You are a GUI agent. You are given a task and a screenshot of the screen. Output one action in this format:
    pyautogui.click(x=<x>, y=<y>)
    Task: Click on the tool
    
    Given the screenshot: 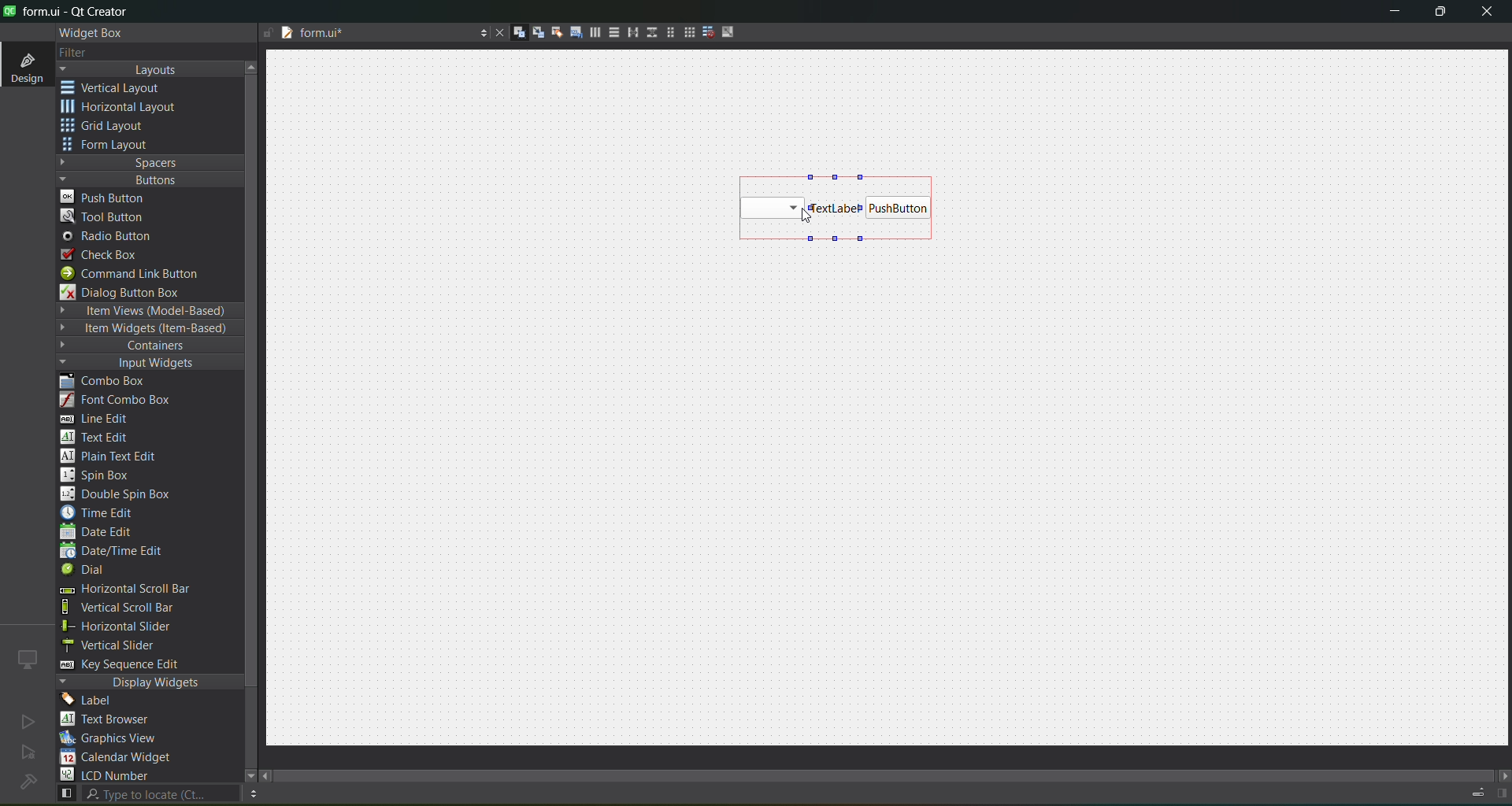 What is the action you would take?
    pyautogui.click(x=106, y=216)
    